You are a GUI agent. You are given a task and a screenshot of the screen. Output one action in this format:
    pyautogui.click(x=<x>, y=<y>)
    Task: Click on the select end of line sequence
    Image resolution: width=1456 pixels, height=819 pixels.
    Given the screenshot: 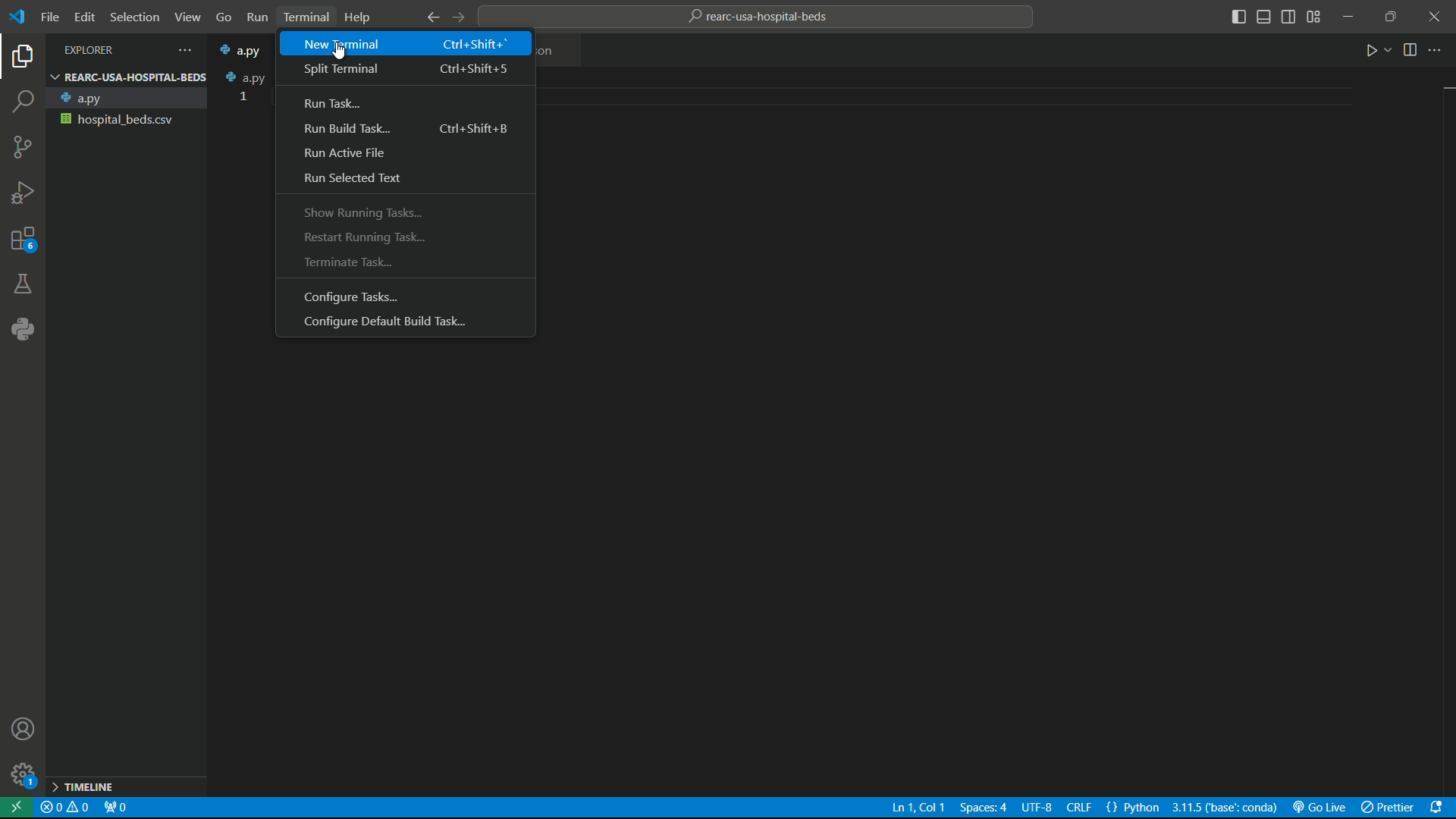 What is the action you would take?
    pyautogui.click(x=1081, y=808)
    